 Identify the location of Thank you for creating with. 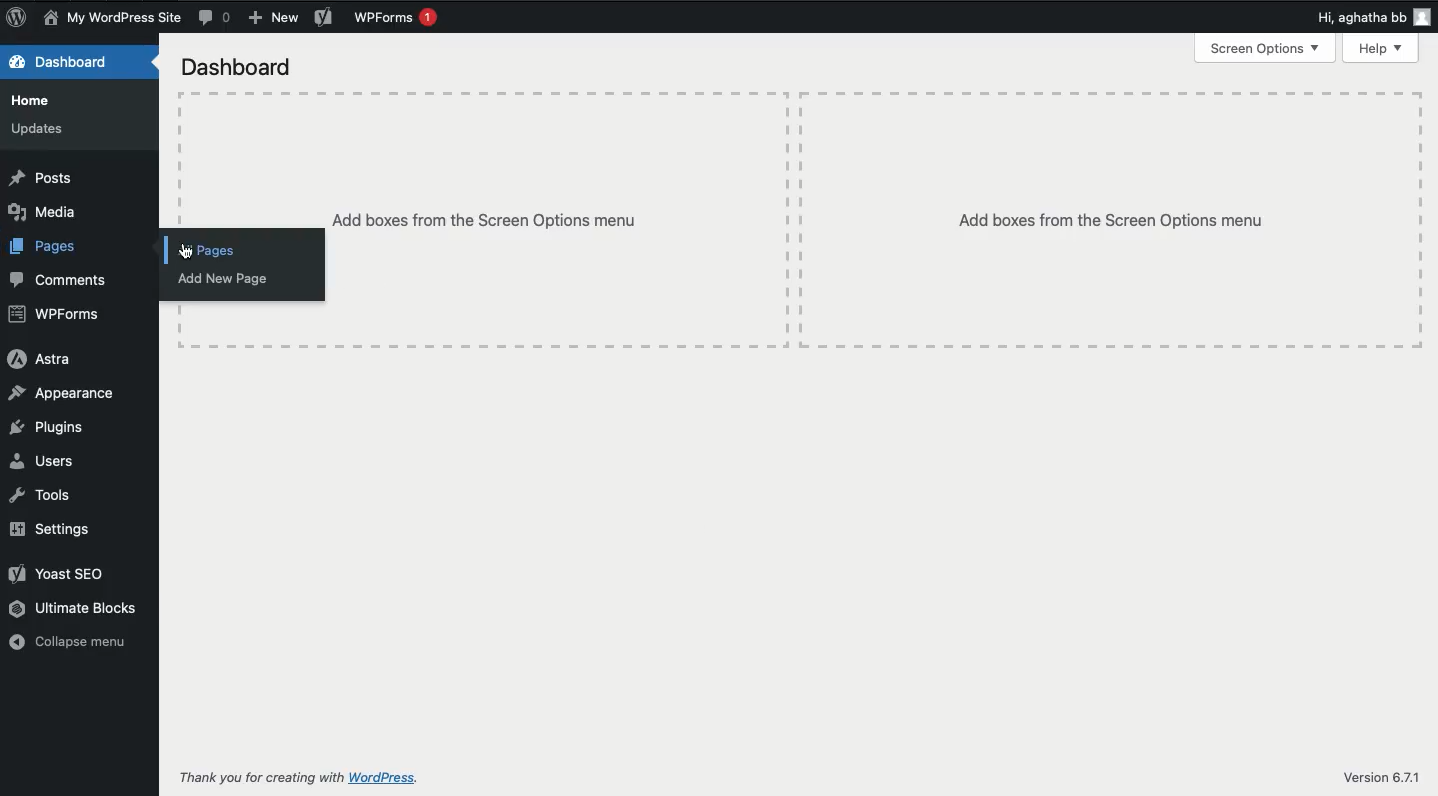
(257, 778).